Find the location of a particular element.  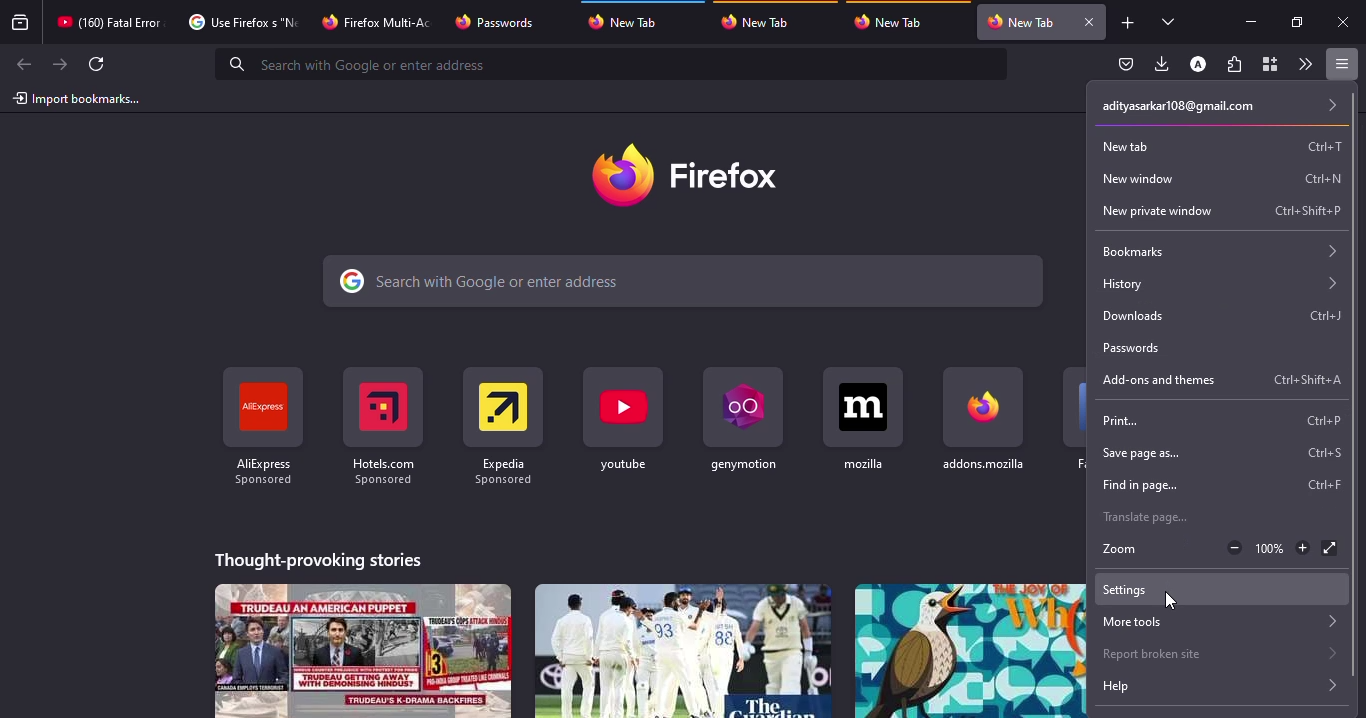

stories is located at coordinates (970, 650).